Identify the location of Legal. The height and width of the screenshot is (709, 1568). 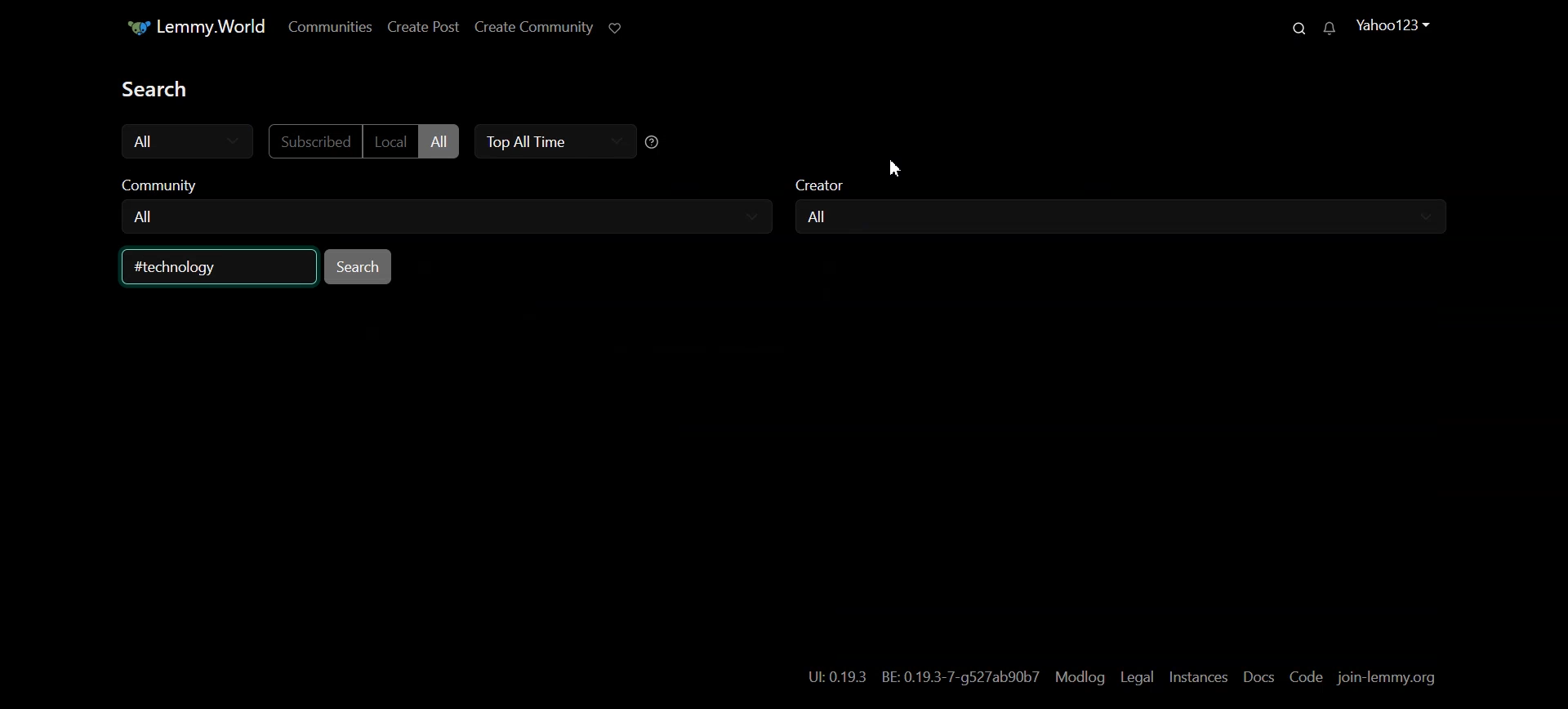
(1137, 678).